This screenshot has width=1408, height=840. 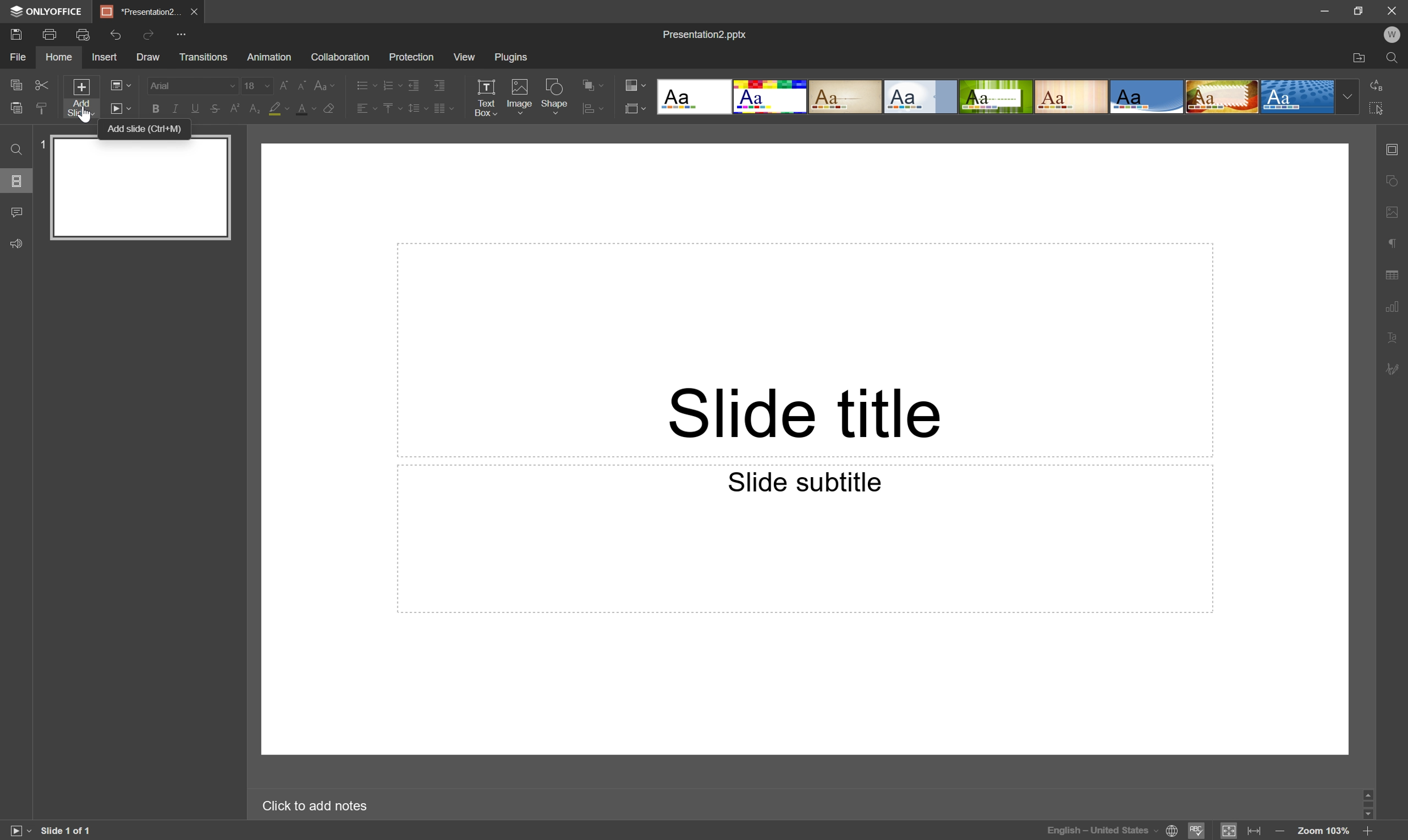 I want to click on Underline, so click(x=193, y=108).